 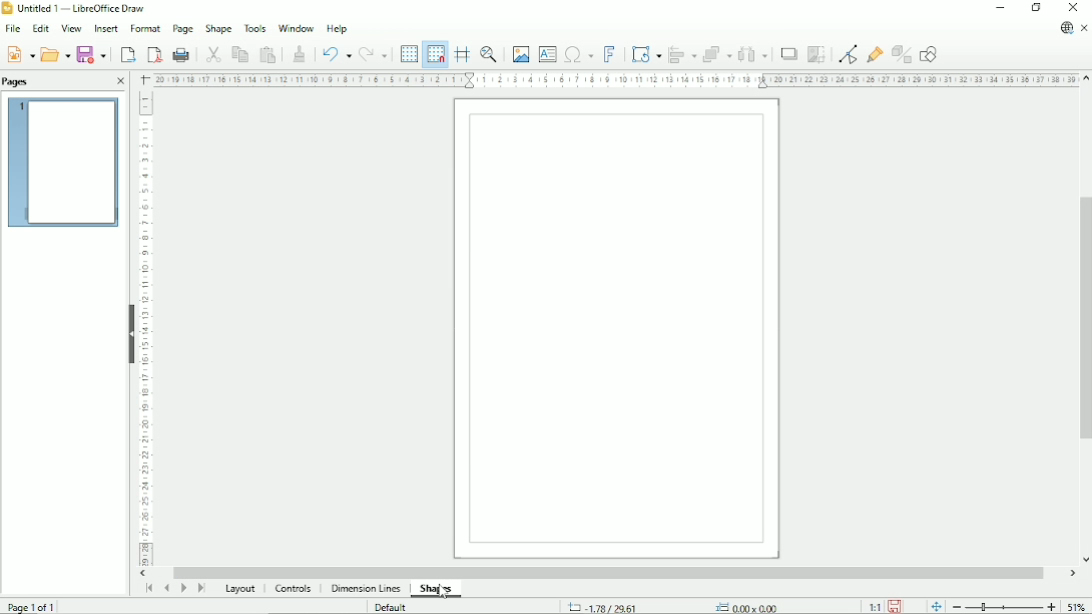 What do you see at coordinates (1004, 607) in the screenshot?
I see `Zoom out/in` at bounding box center [1004, 607].